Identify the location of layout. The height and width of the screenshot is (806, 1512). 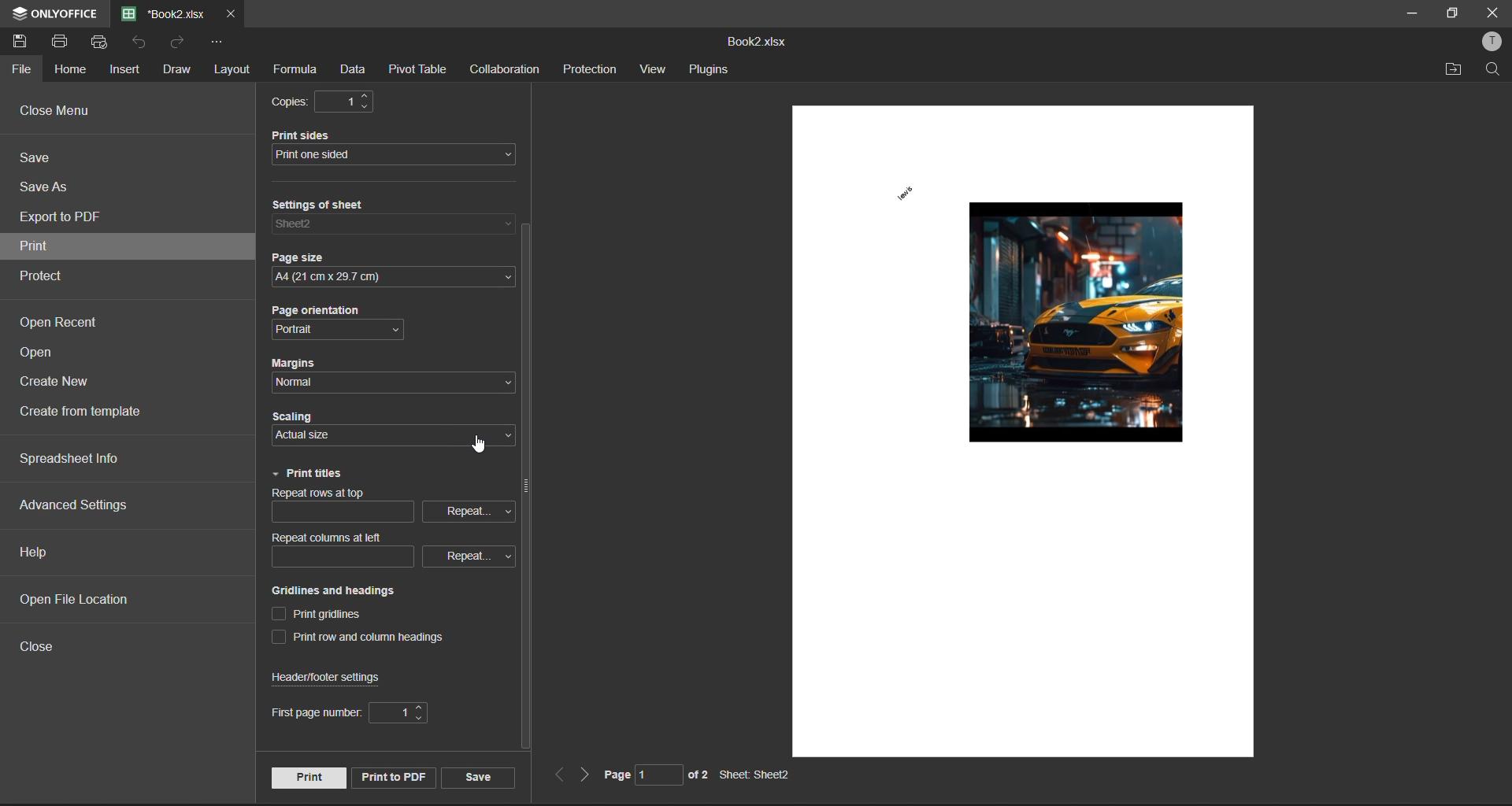
(230, 72).